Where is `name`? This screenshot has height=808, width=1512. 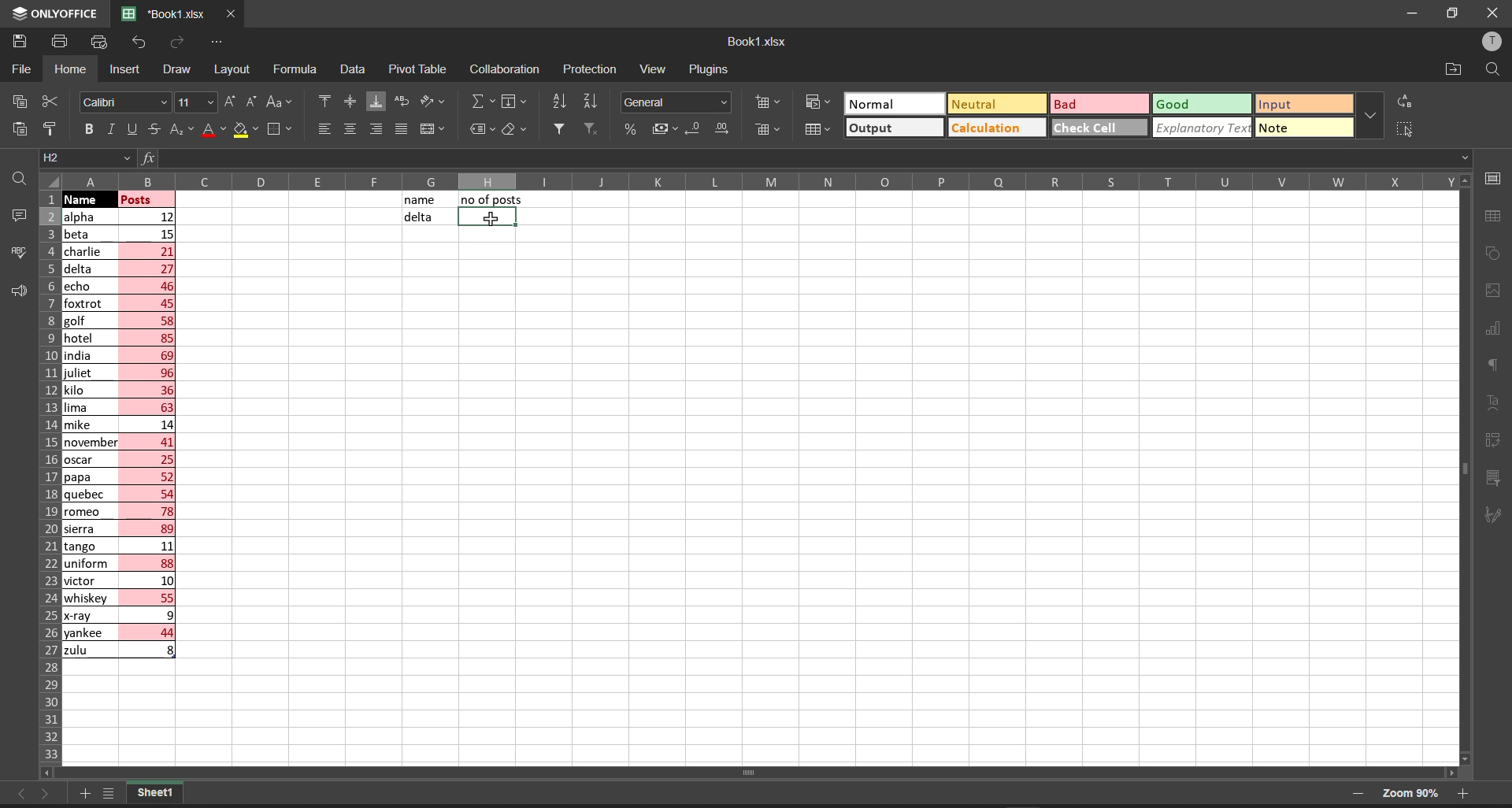 name is located at coordinates (421, 200).